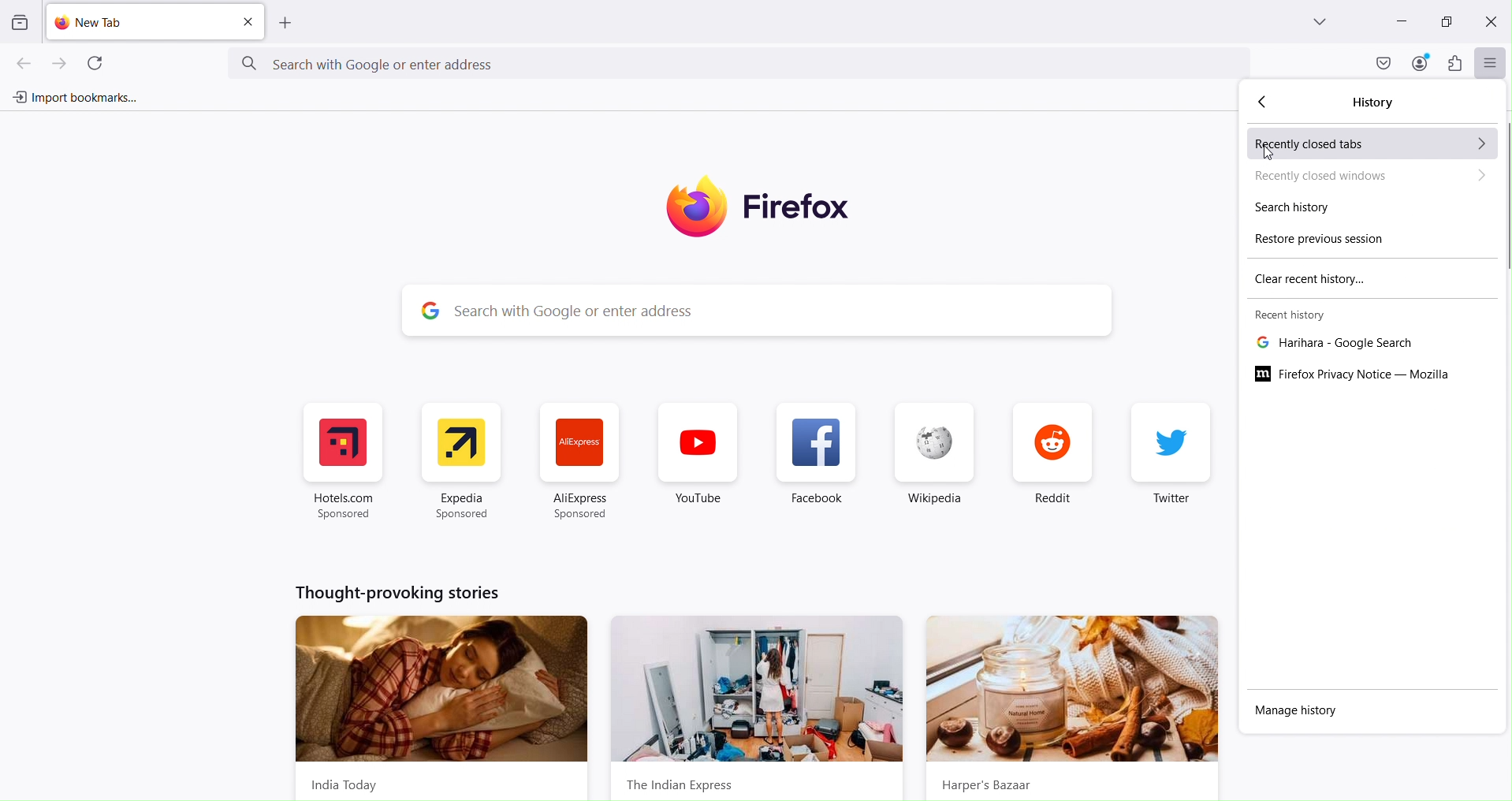 The image size is (1512, 801). I want to click on Restore previous session, so click(1331, 238).